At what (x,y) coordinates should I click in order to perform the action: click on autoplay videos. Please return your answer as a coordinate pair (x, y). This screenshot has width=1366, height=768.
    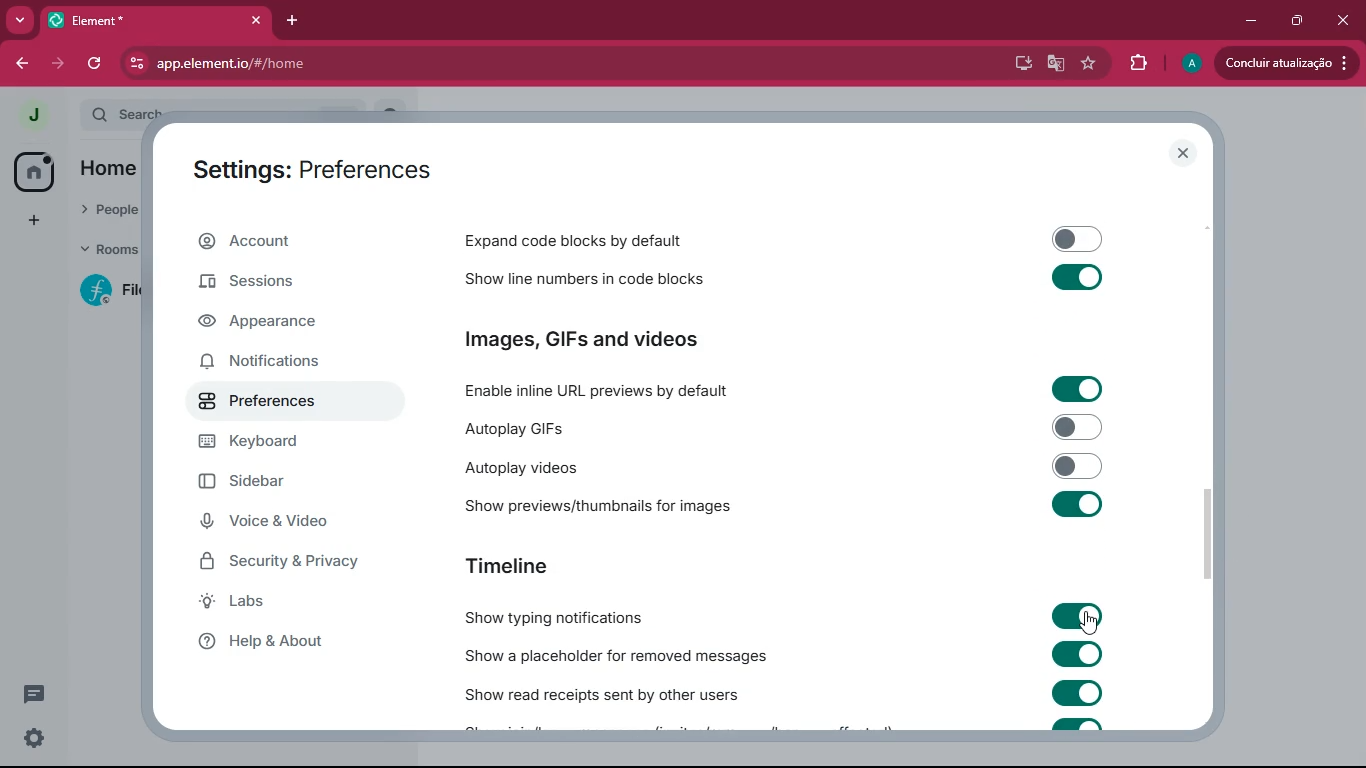
    Looking at the image, I should click on (552, 468).